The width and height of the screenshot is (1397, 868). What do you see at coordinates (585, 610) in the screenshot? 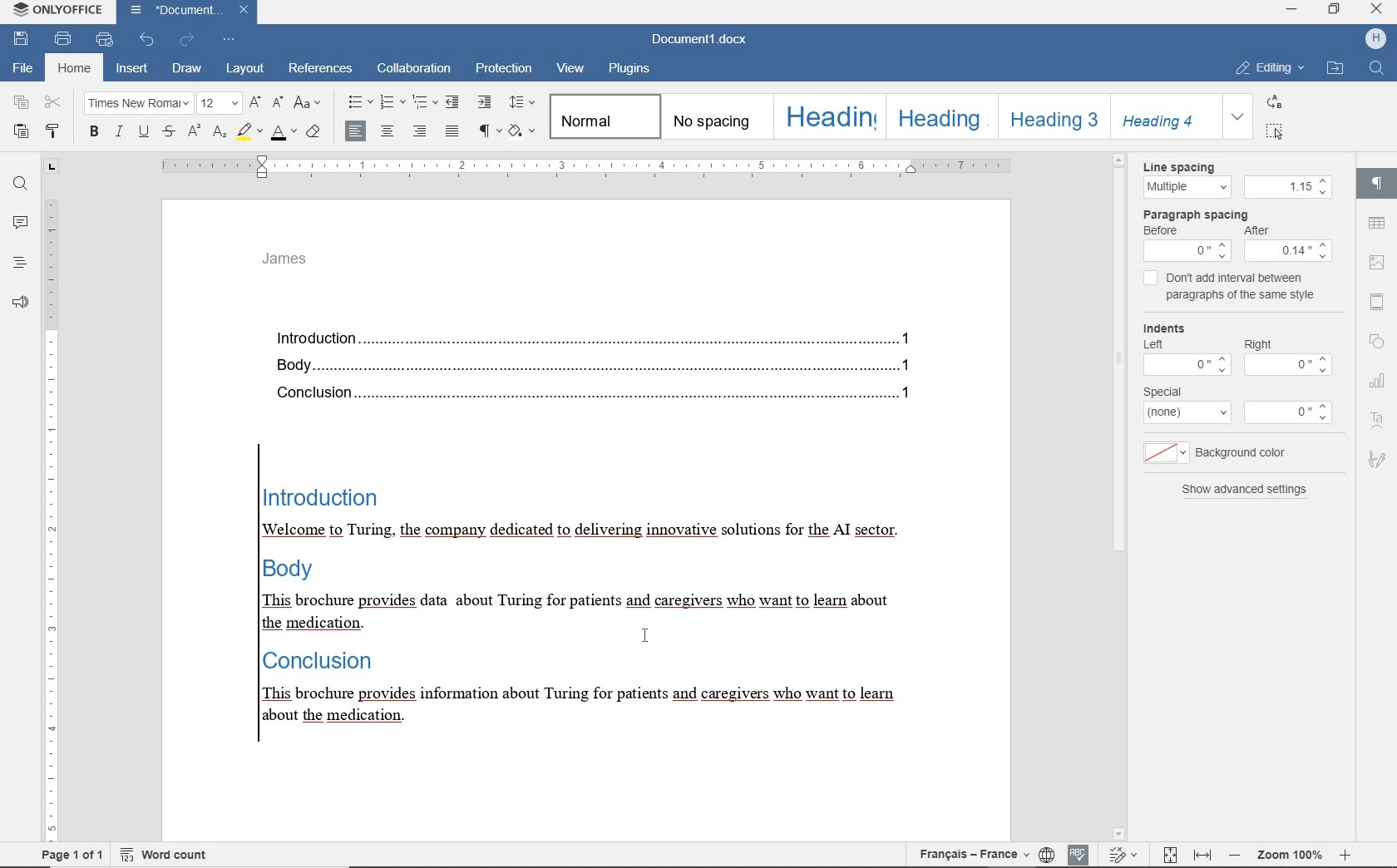
I see `This brochure provides data about Turing for patients and caregivers who want to learn about
the medication.` at bounding box center [585, 610].